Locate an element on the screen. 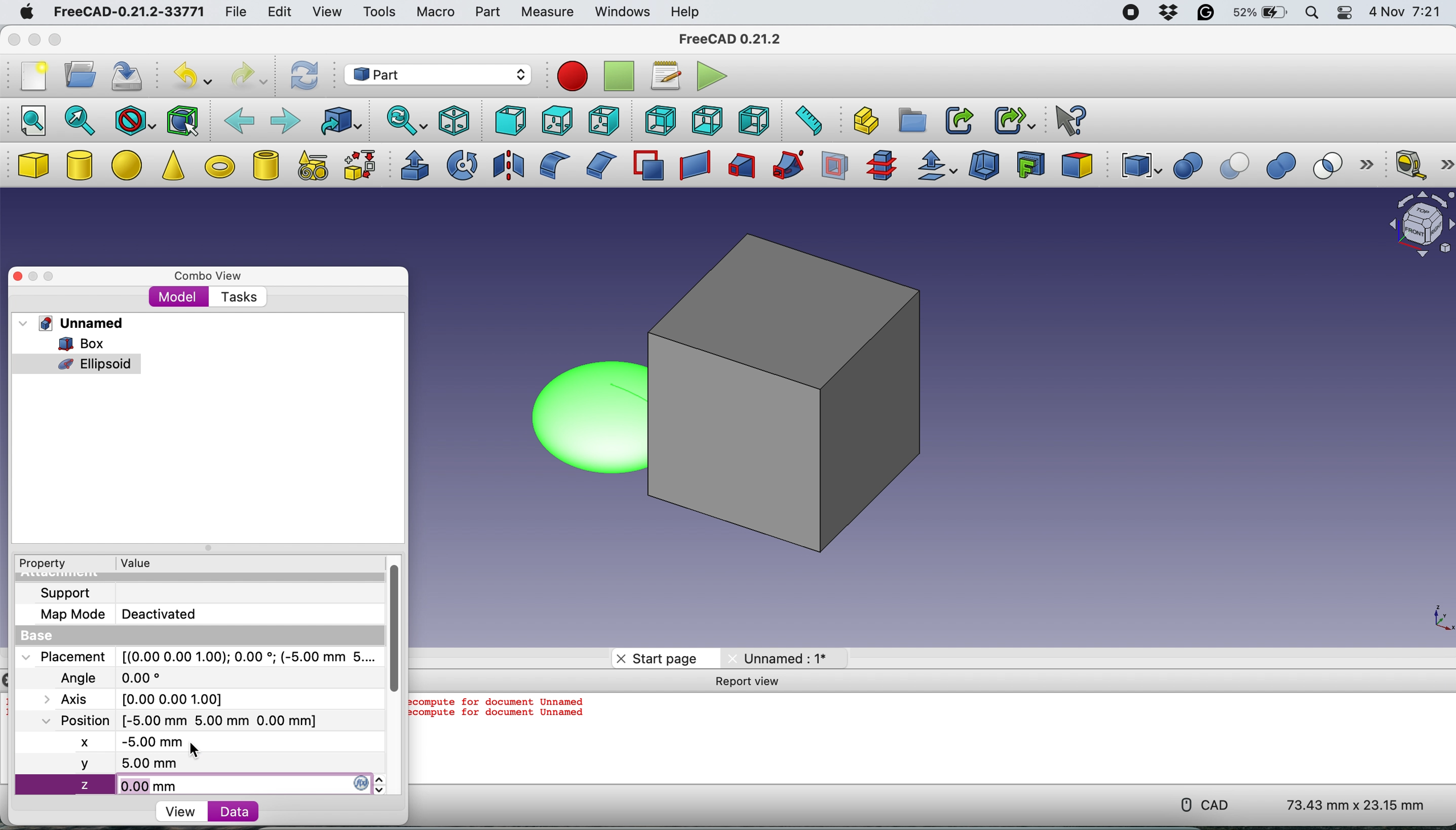  sync view is located at coordinates (404, 122).